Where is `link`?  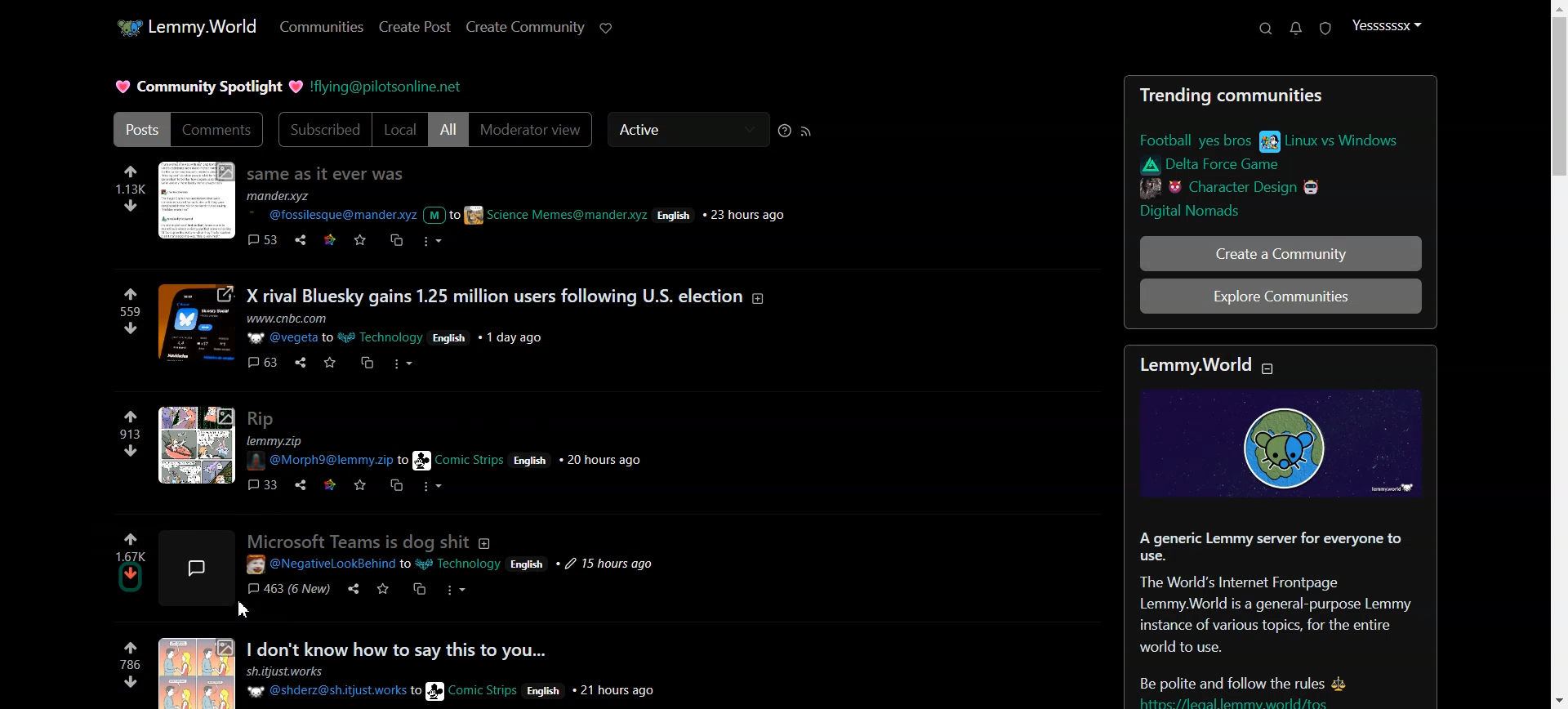 link is located at coordinates (1199, 212).